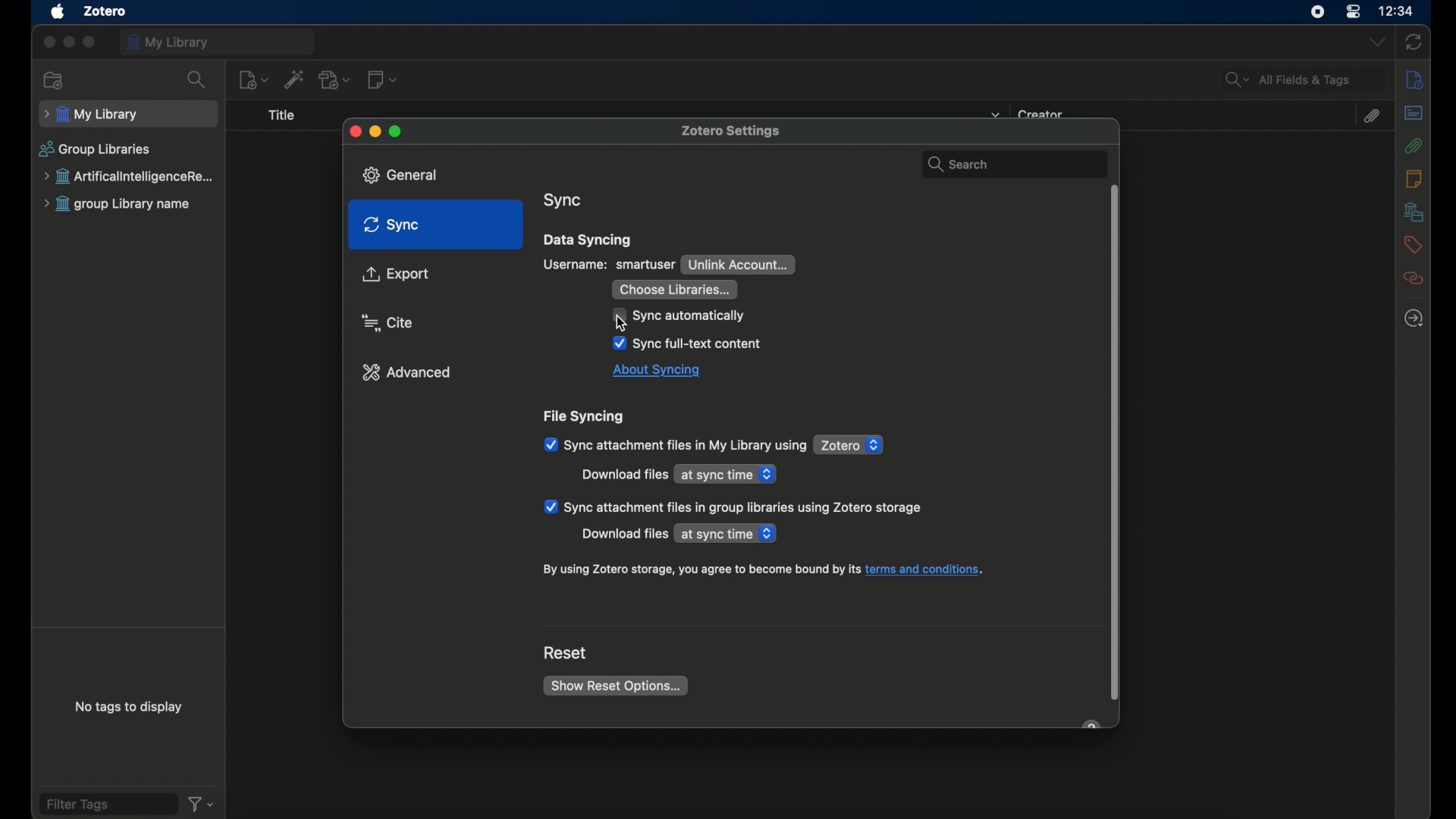 This screenshot has height=819, width=1456. What do you see at coordinates (688, 344) in the screenshot?
I see `sync full-text content` at bounding box center [688, 344].